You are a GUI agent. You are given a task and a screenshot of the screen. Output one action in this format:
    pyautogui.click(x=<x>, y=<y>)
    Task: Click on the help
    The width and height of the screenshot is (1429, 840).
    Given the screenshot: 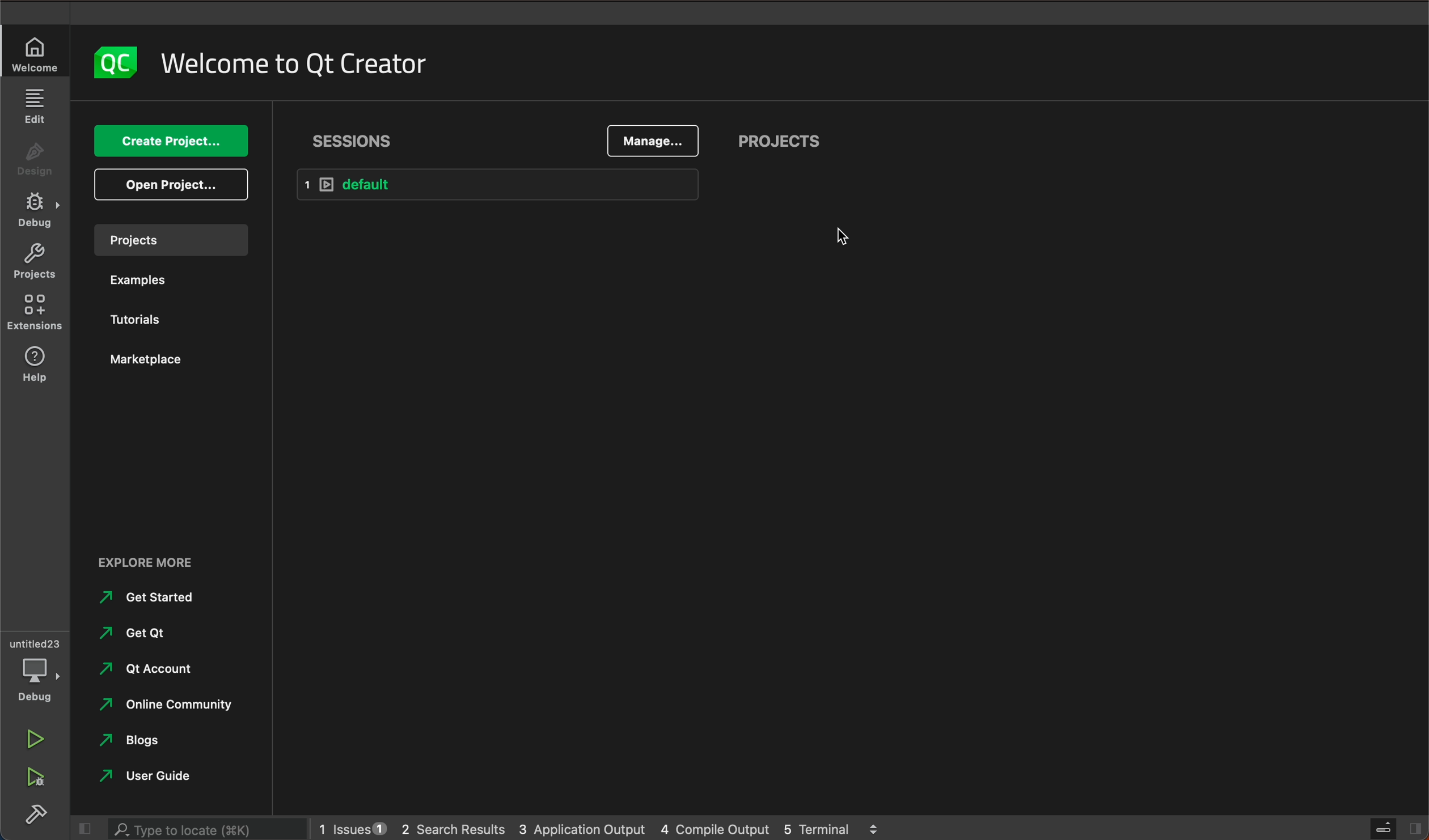 What is the action you would take?
    pyautogui.click(x=35, y=367)
    